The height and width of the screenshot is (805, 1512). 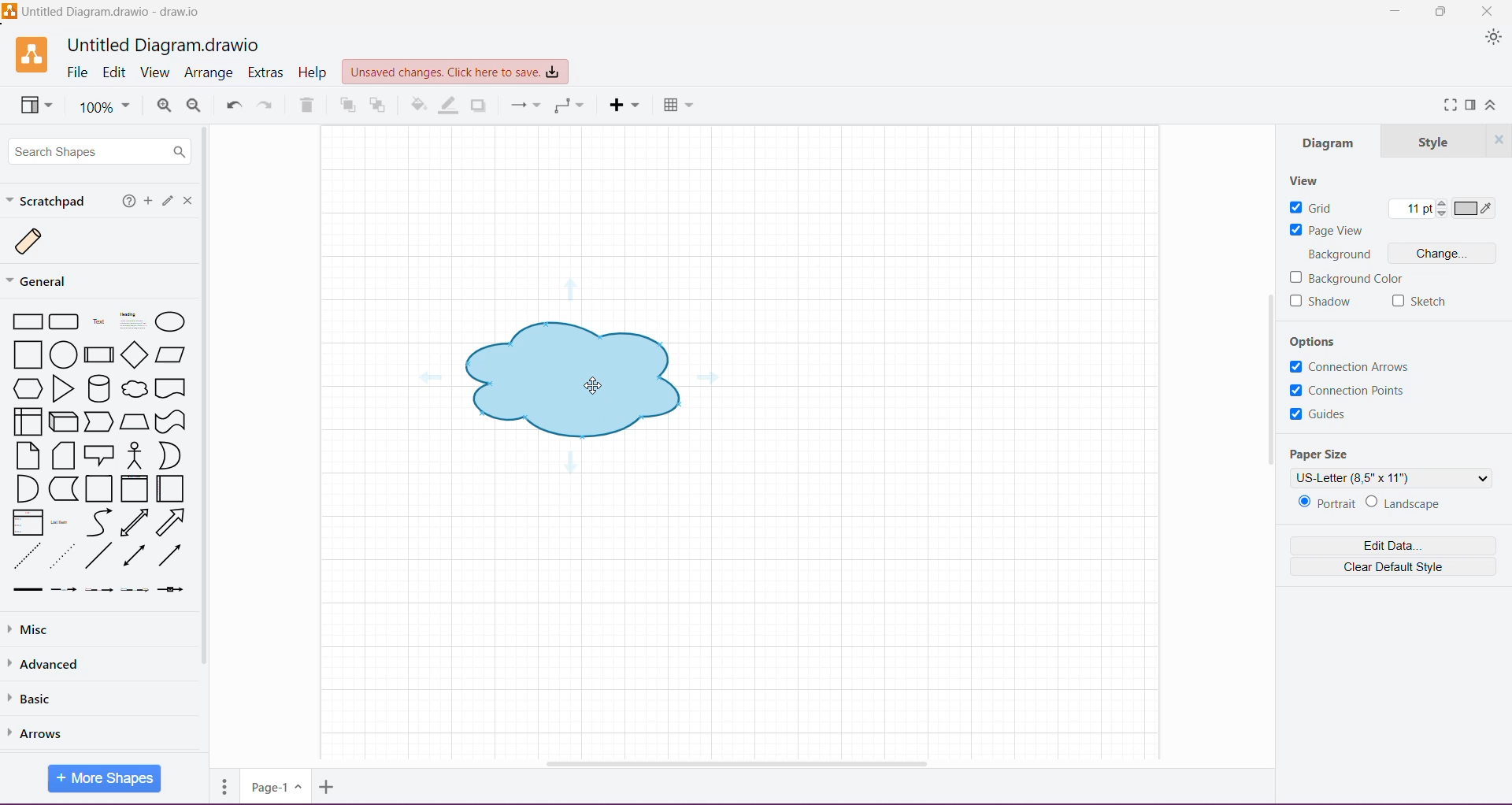 What do you see at coordinates (224, 786) in the screenshot?
I see `Pages` at bounding box center [224, 786].